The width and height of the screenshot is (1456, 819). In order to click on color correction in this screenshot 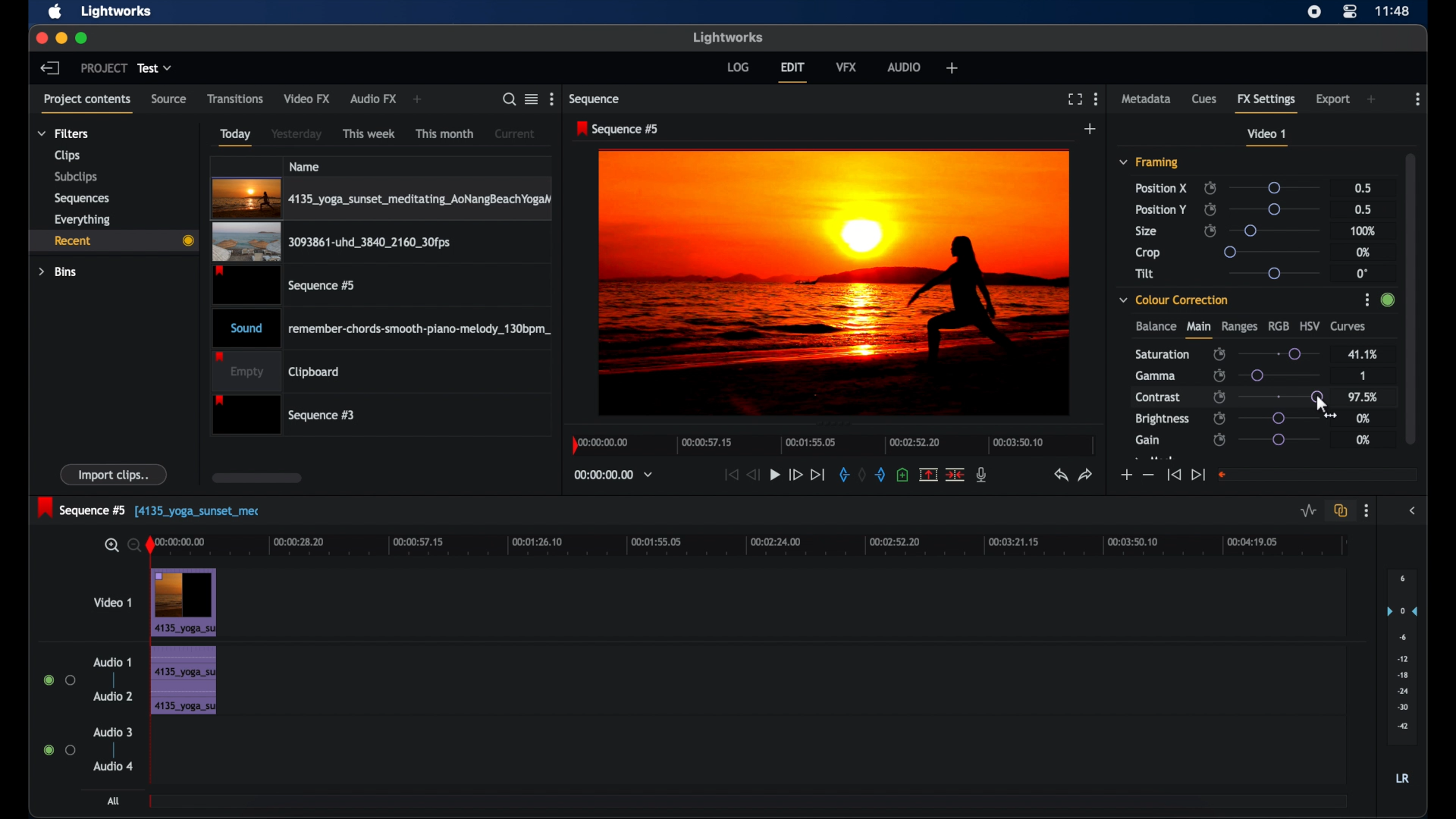, I will do `click(1175, 299)`.